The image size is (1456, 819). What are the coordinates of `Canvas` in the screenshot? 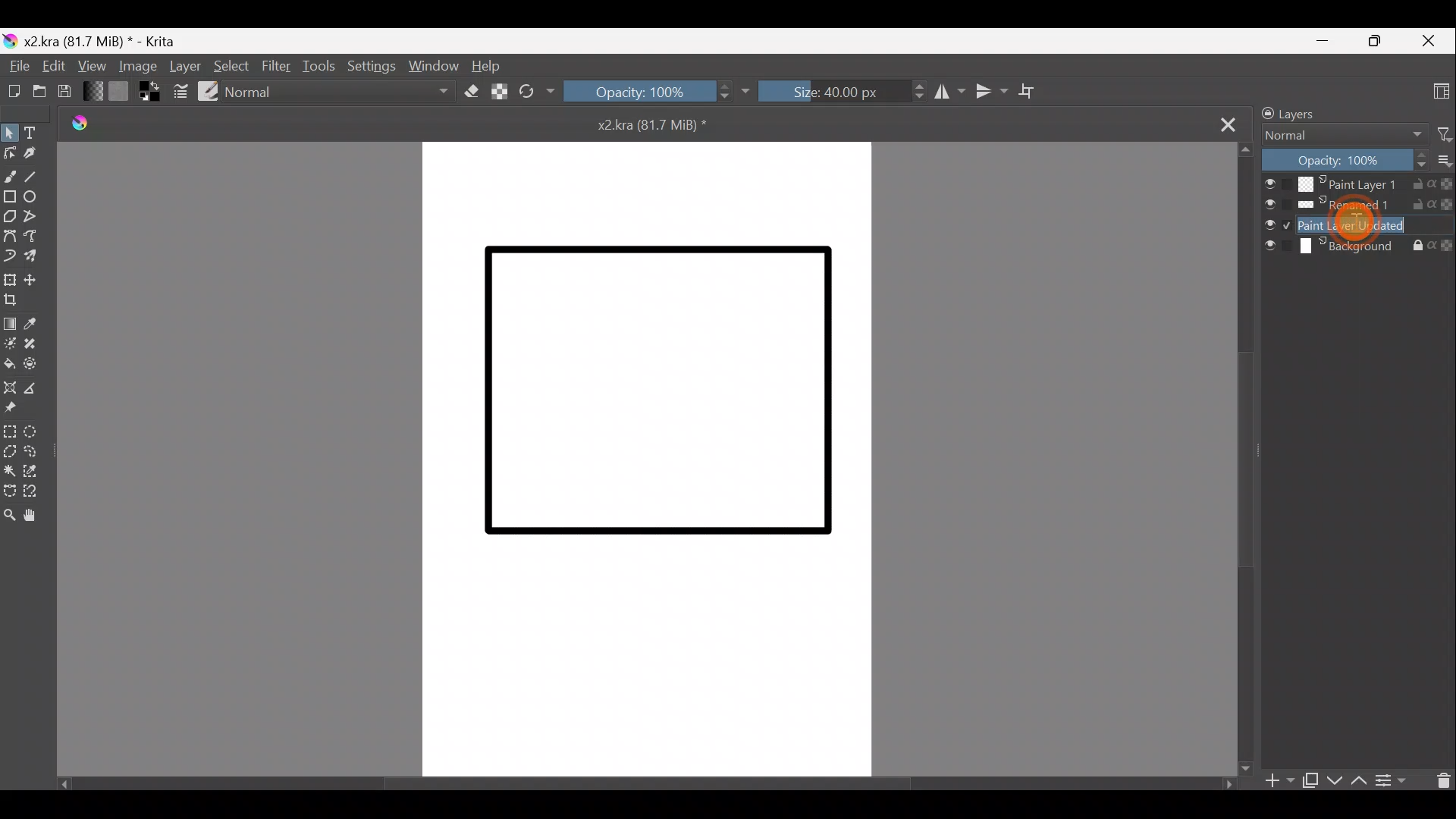 It's located at (650, 460).